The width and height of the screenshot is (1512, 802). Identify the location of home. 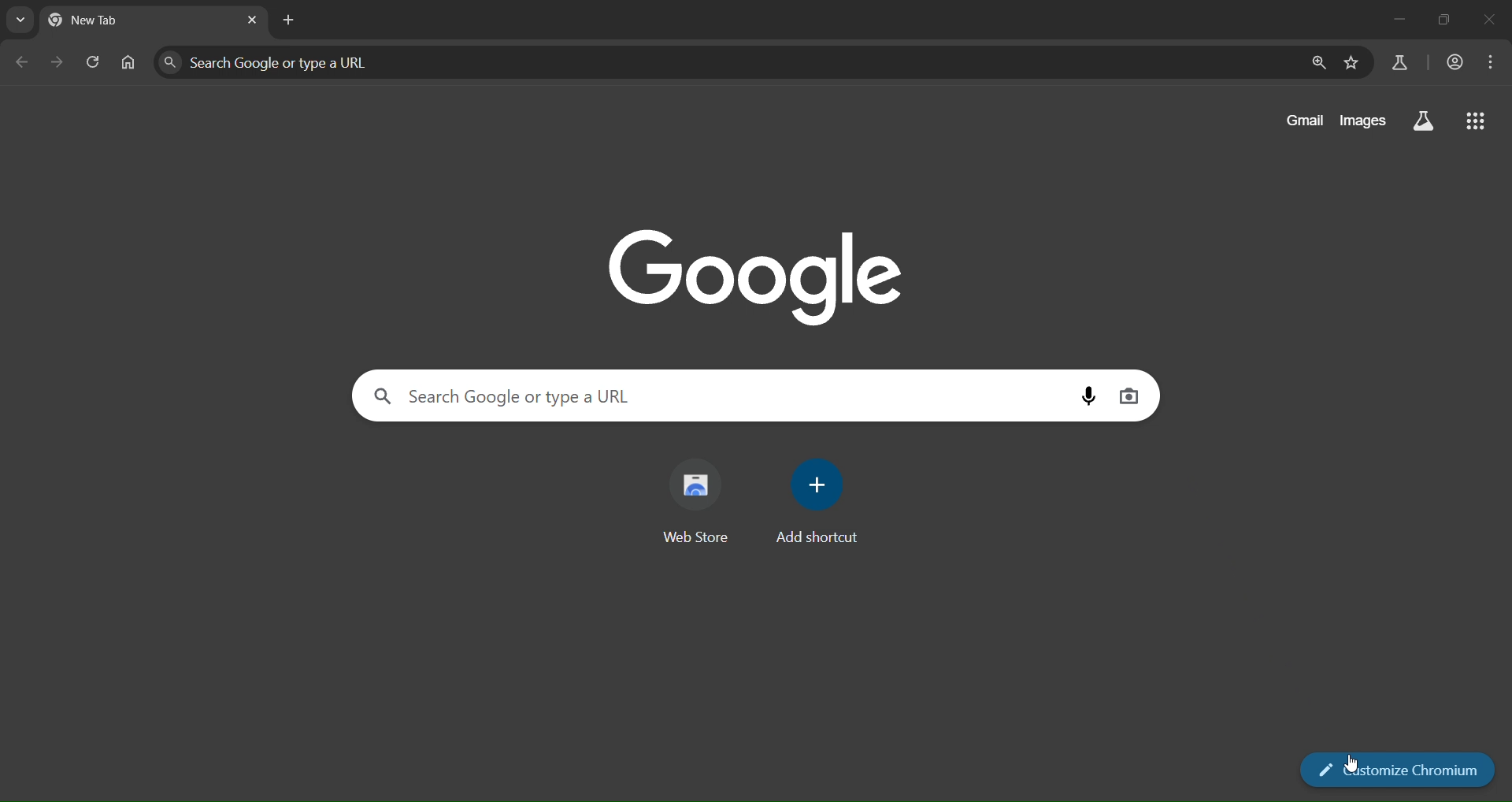
(128, 65).